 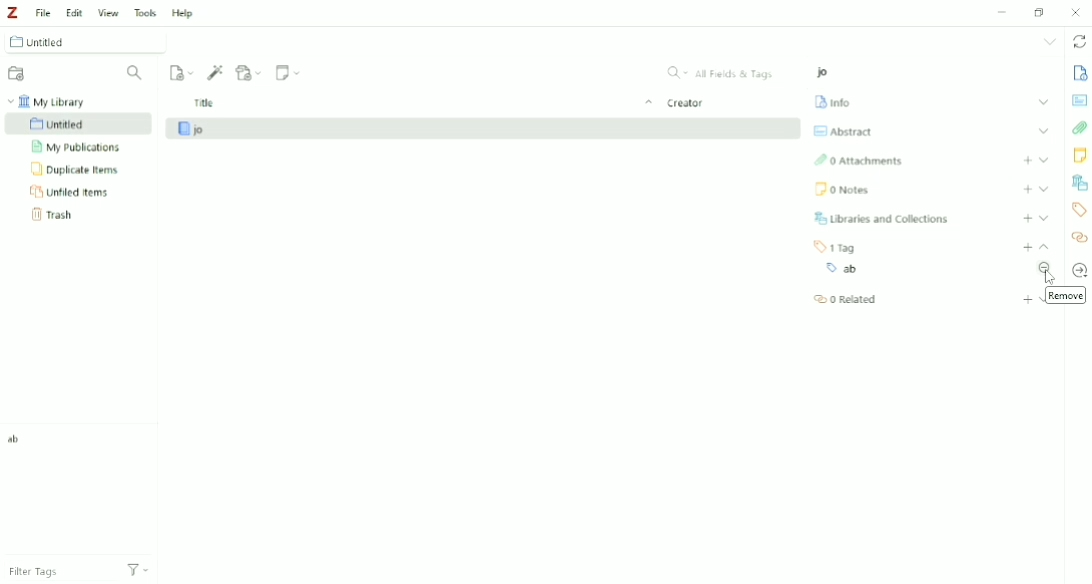 What do you see at coordinates (847, 300) in the screenshot?
I see `Related` at bounding box center [847, 300].